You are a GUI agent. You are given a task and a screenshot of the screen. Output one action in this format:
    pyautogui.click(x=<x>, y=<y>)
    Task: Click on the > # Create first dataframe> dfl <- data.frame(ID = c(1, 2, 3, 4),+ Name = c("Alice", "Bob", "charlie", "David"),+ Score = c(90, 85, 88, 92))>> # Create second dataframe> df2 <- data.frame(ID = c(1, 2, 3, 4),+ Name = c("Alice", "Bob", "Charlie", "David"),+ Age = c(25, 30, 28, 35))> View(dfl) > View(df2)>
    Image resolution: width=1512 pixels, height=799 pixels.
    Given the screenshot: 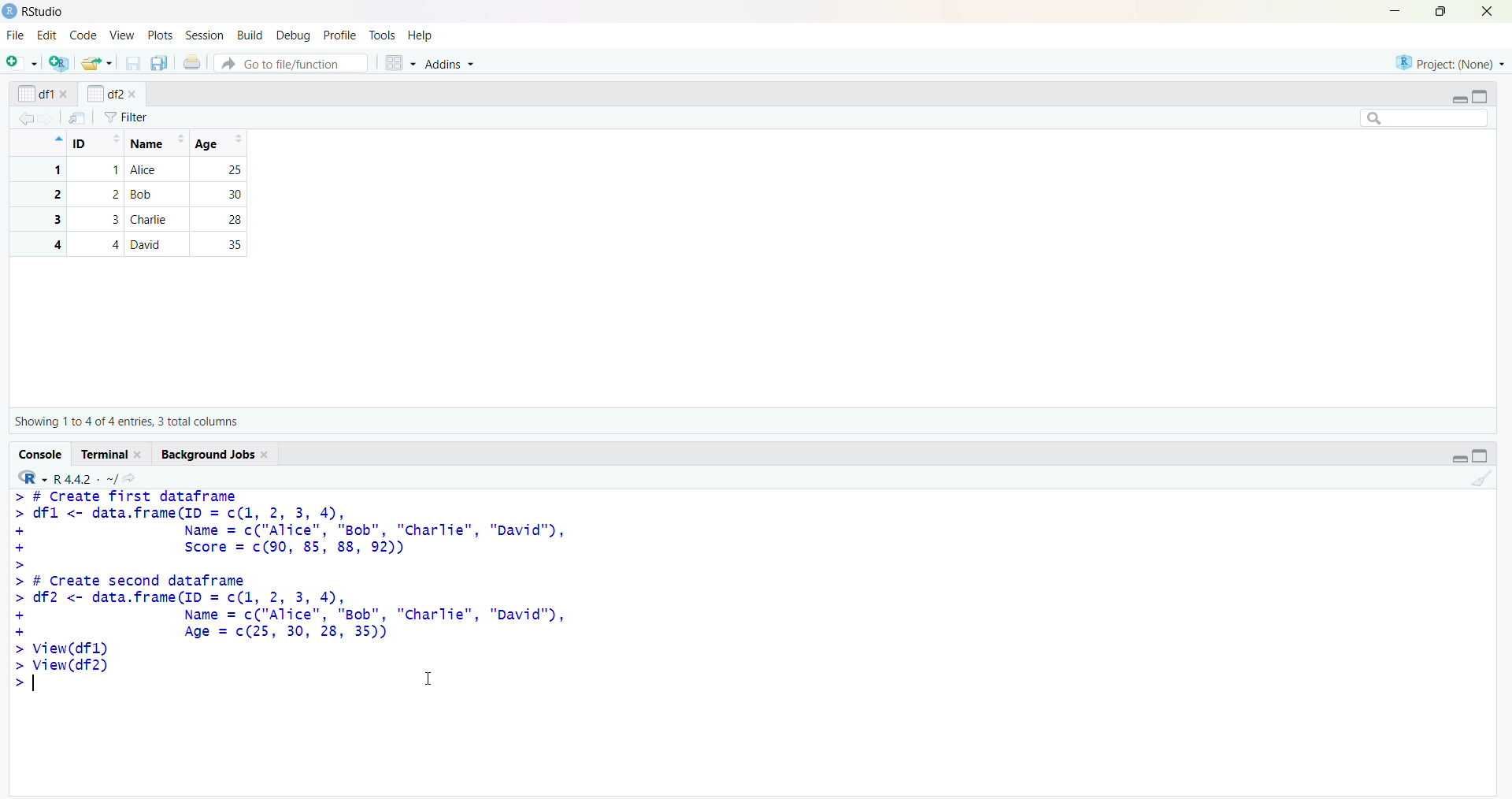 What is the action you would take?
    pyautogui.click(x=291, y=591)
    